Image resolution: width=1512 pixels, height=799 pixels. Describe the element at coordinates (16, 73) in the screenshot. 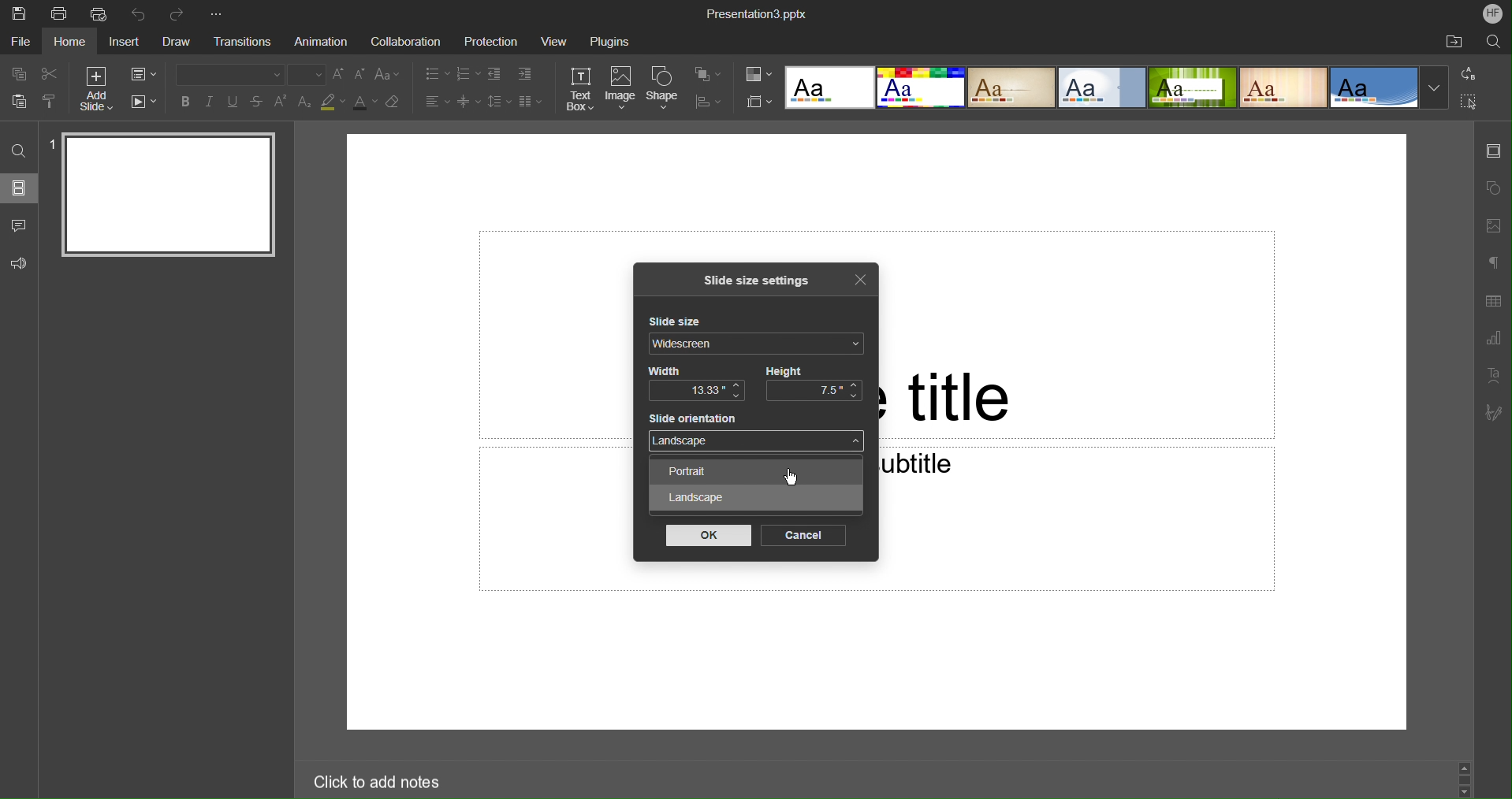

I see `Copy` at that location.